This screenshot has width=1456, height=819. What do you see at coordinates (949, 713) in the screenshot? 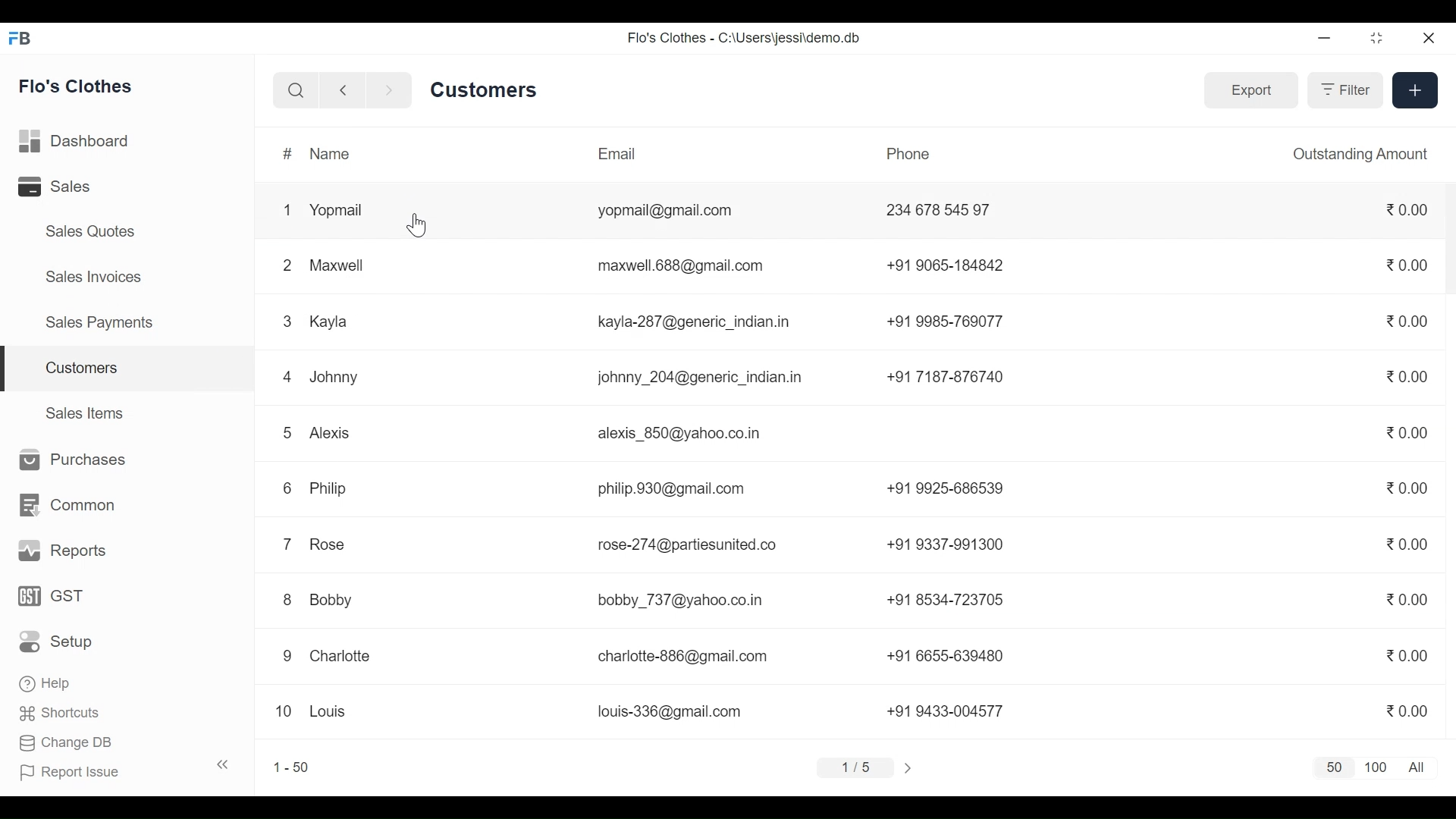
I see `+91 9433-004577` at bounding box center [949, 713].